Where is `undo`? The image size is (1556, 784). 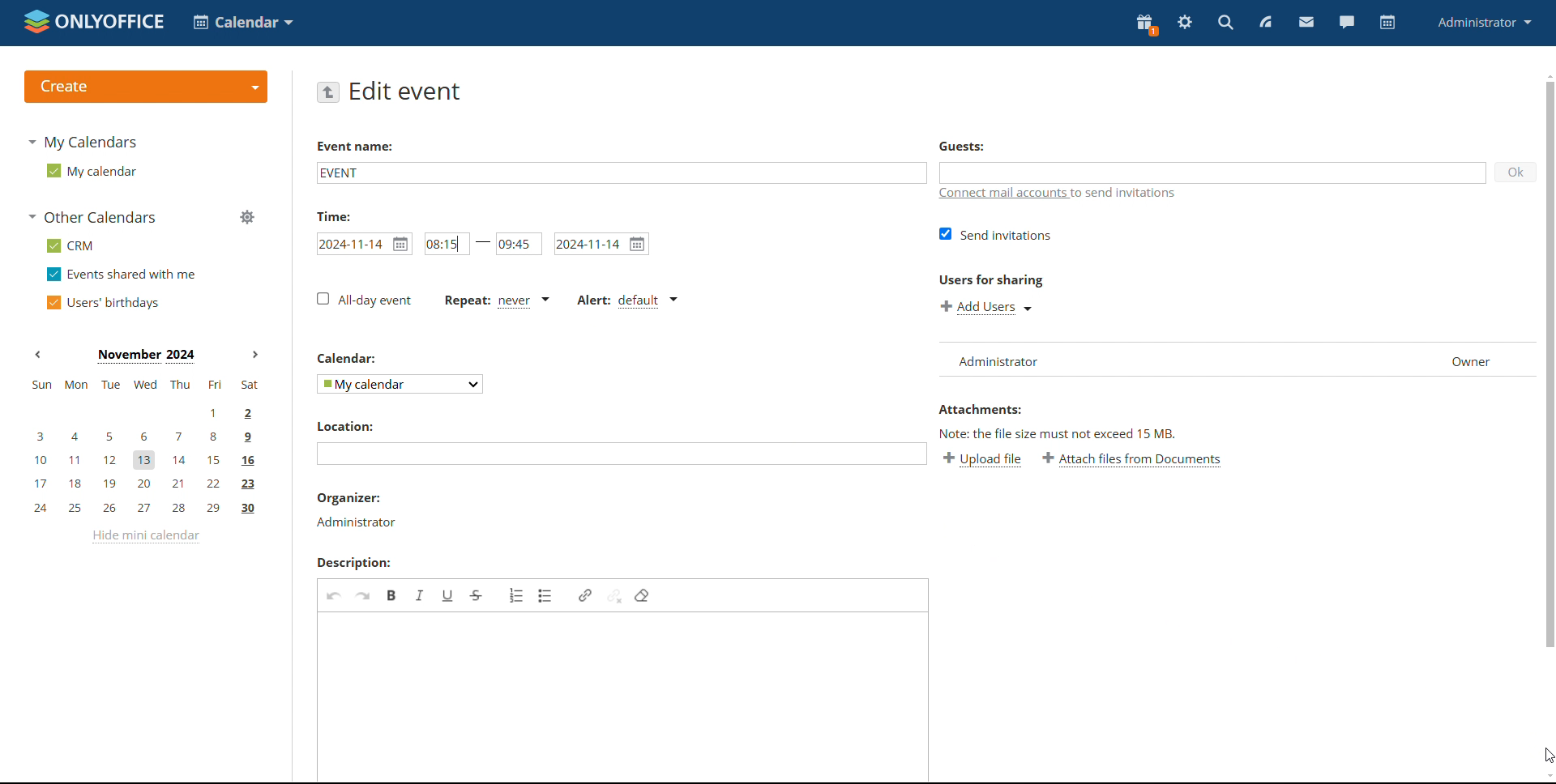 undo is located at coordinates (333, 595).